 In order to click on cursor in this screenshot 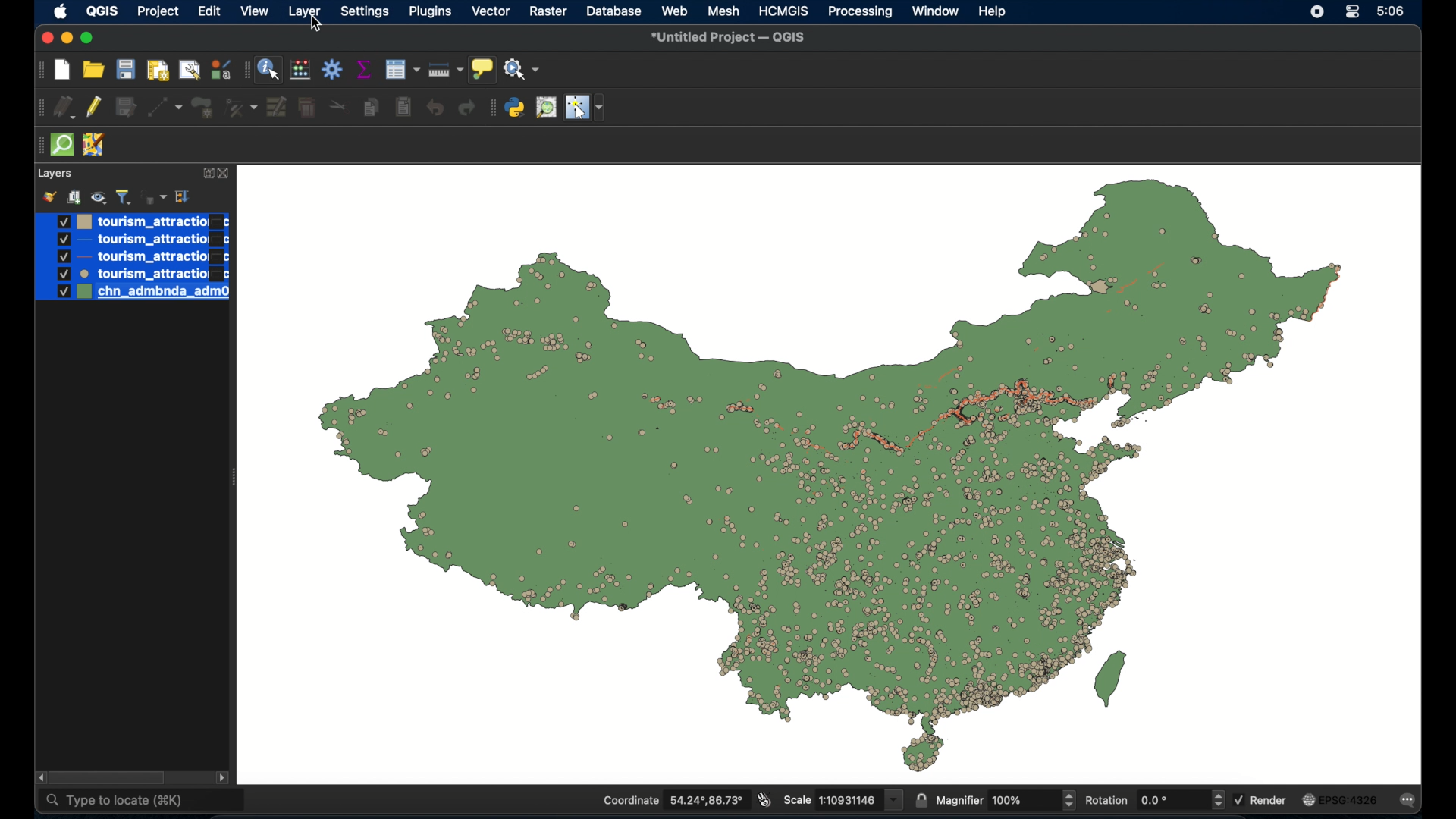, I will do `click(318, 24)`.